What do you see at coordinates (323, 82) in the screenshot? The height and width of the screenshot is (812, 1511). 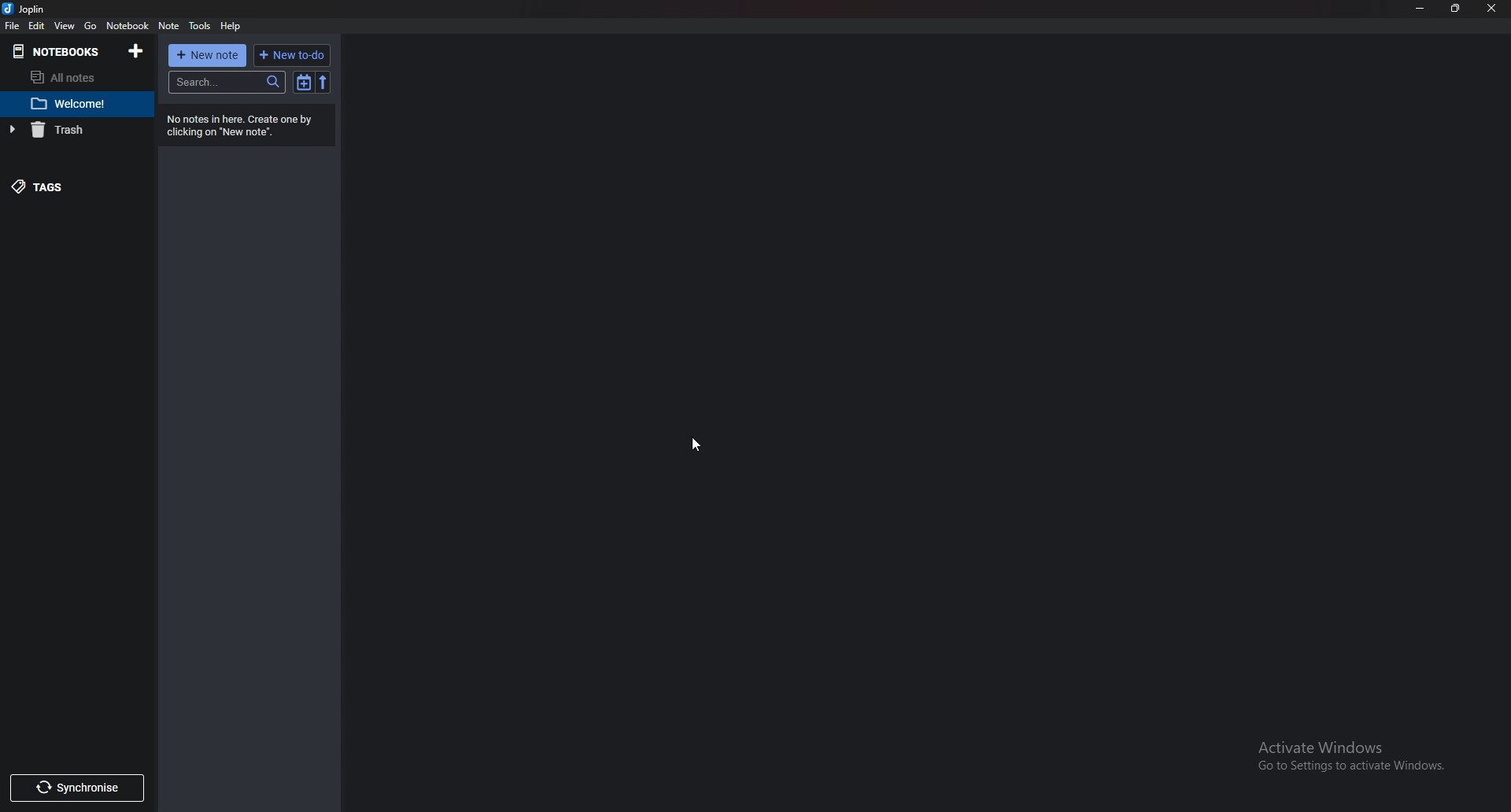 I see `Reverse sort order` at bounding box center [323, 82].